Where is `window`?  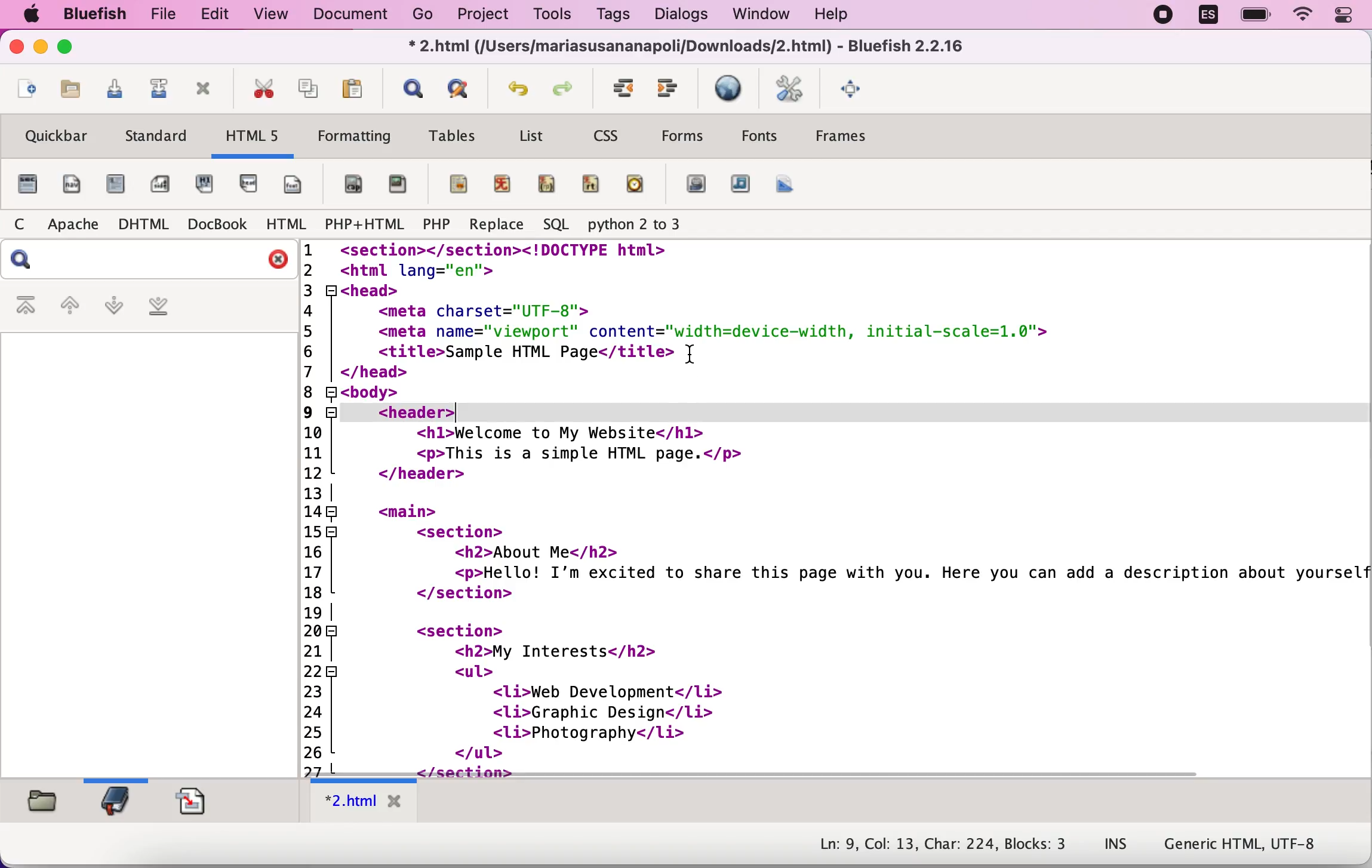 window is located at coordinates (760, 14).